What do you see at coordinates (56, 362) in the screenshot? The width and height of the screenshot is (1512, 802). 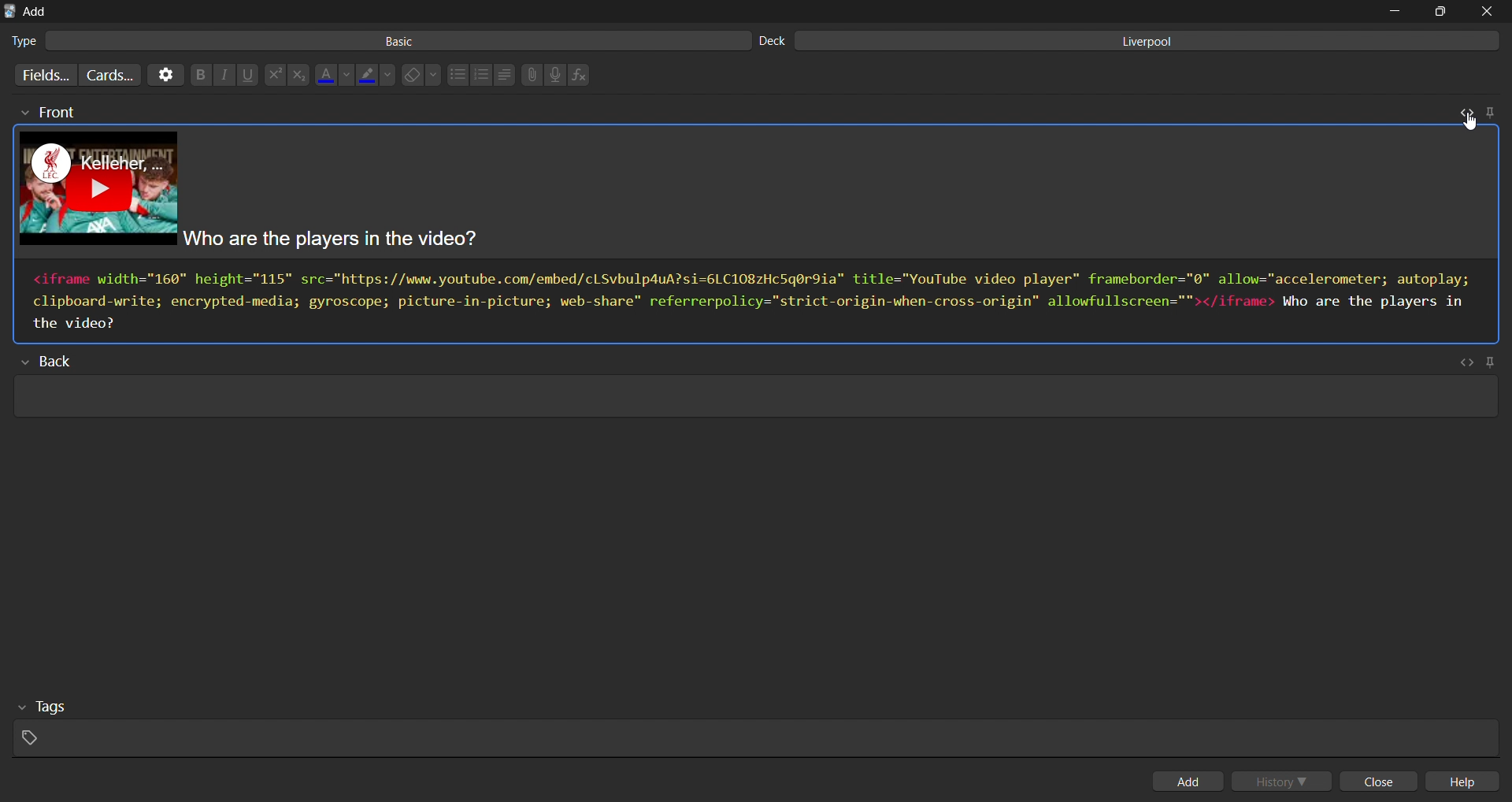 I see `back` at bounding box center [56, 362].